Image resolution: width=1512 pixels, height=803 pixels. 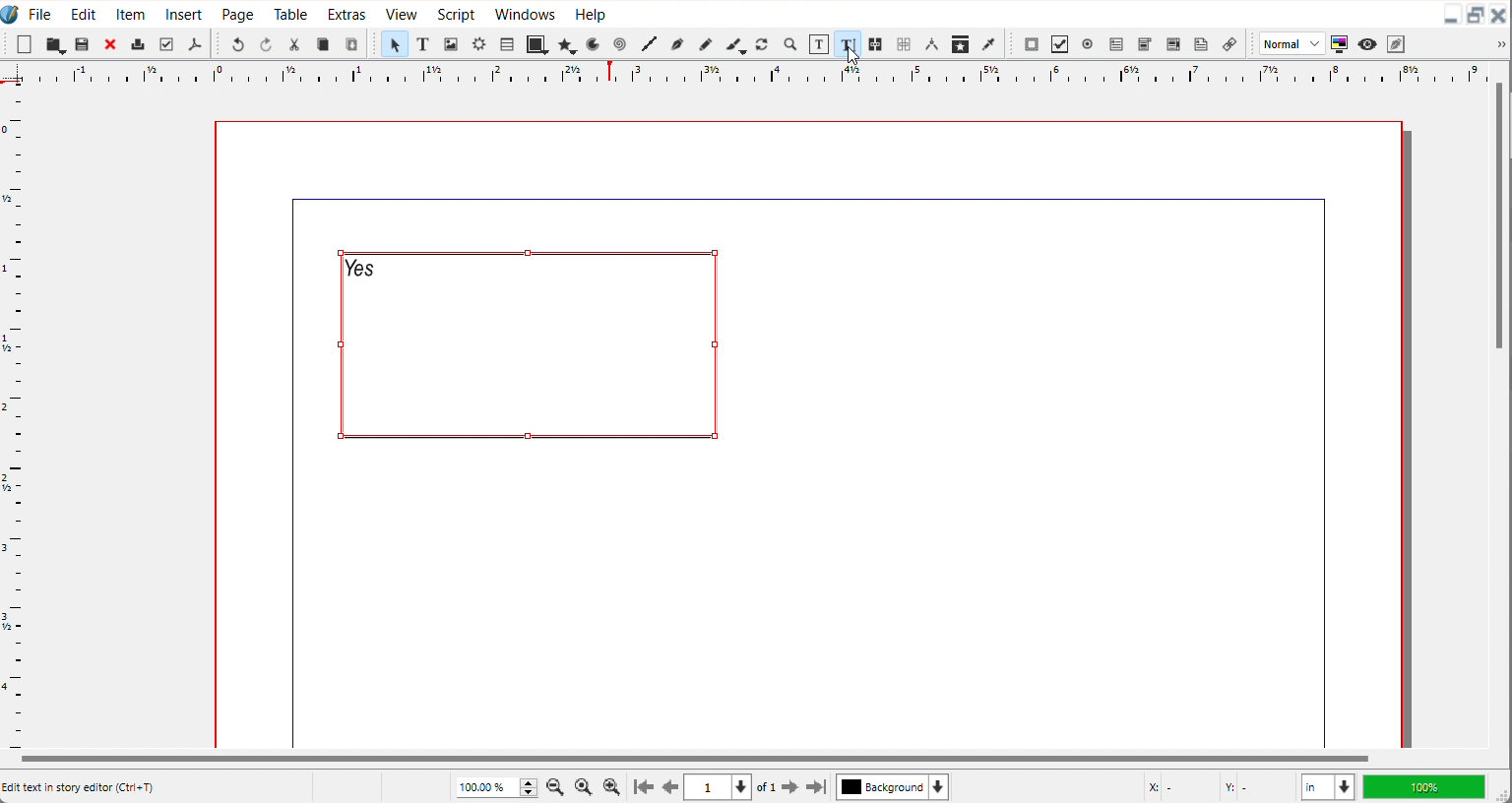 I want to click on Close, so click(x=1499, y=16).